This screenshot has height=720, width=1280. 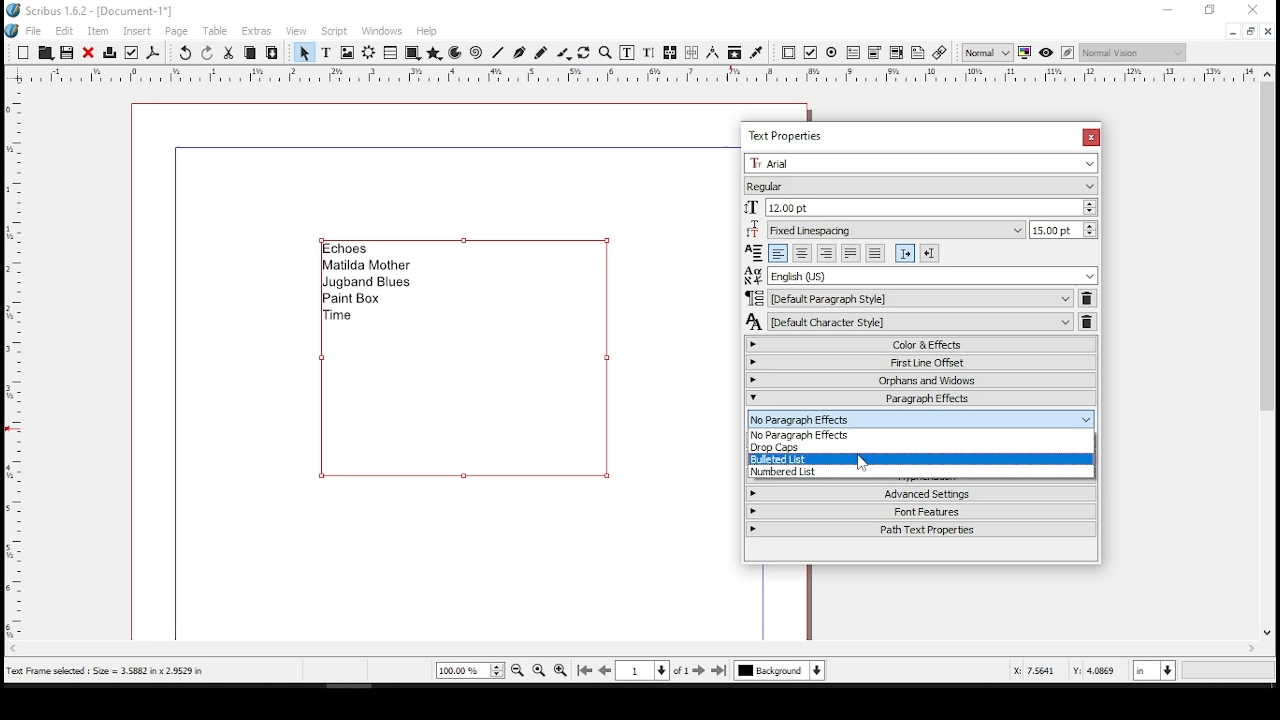 I want to click on rotate item, so click(x=585, y=52).